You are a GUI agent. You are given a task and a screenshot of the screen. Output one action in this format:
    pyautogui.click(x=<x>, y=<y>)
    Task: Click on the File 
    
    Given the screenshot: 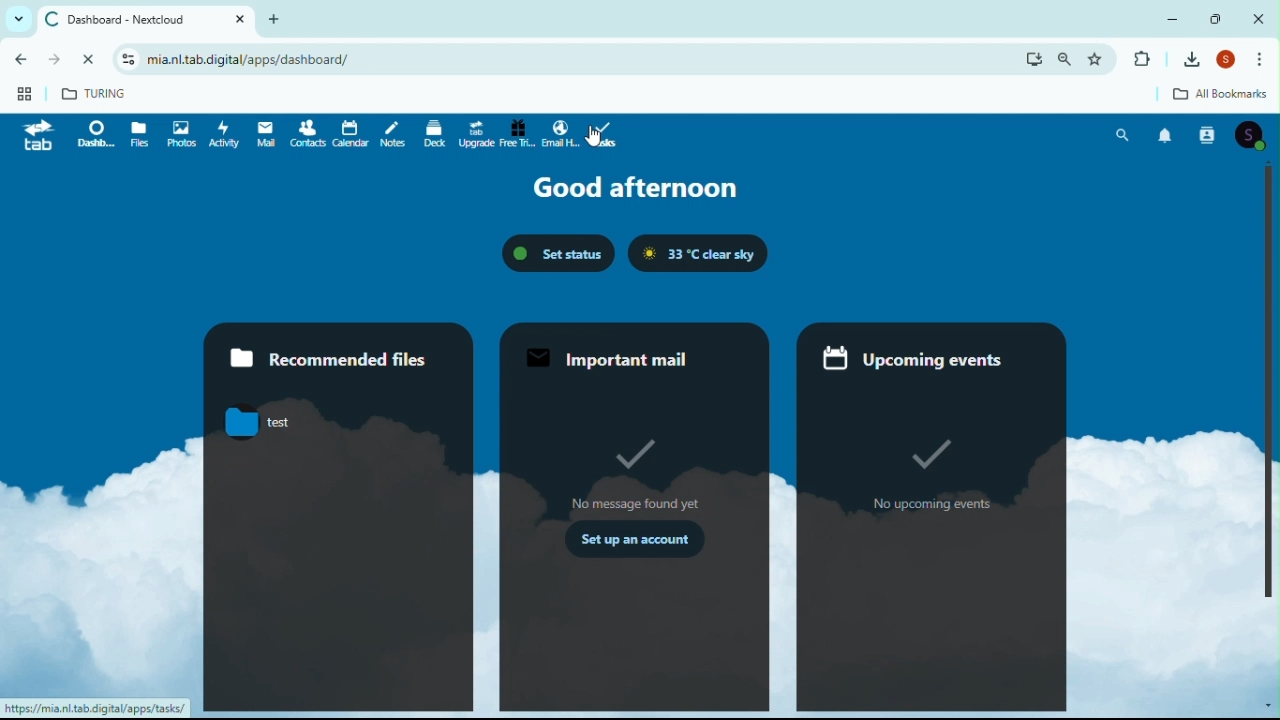 What is the action you would take?
    pyautogui.click(x=140, y=135)
    